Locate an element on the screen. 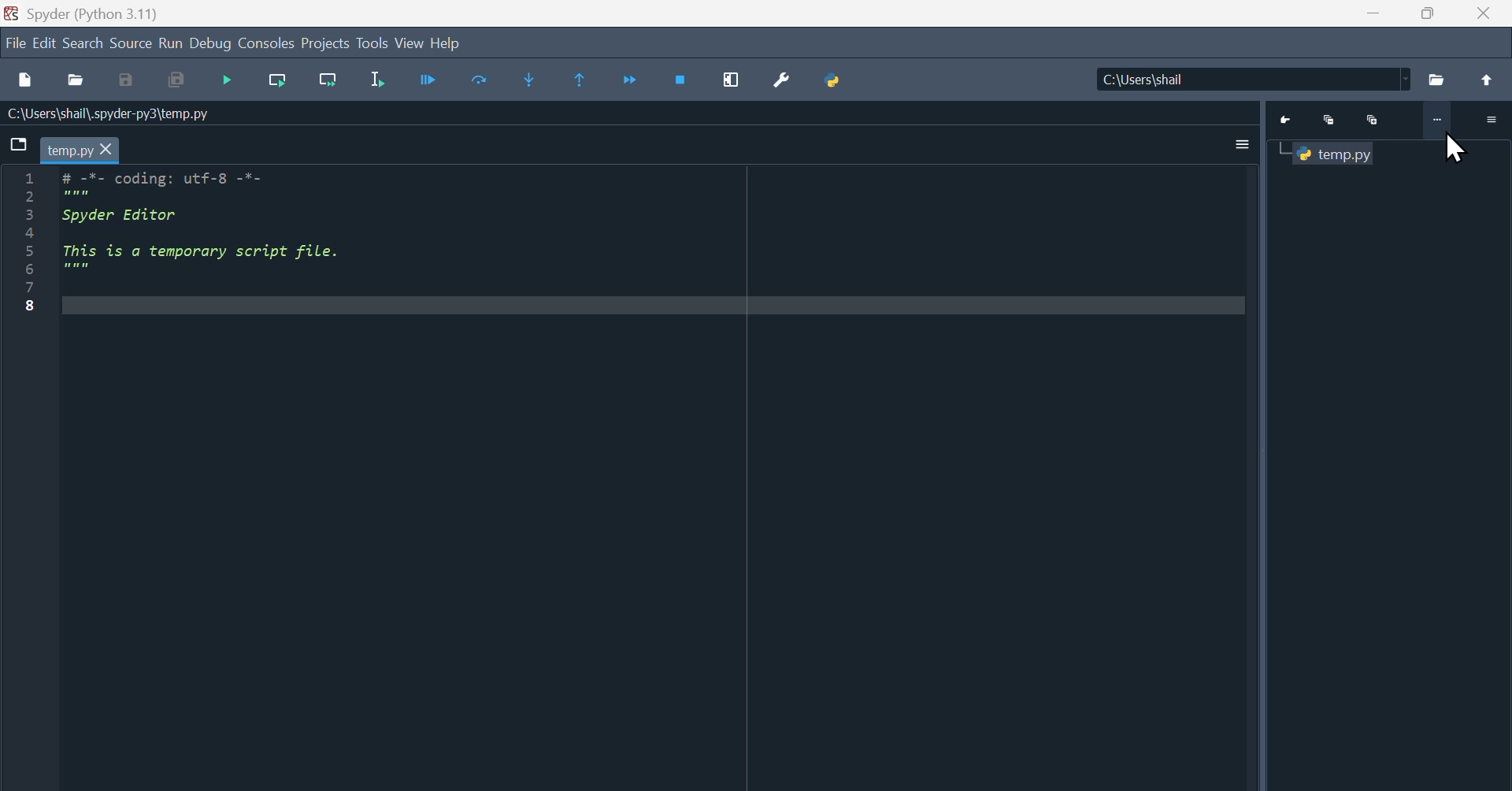 Image resolution: width=1512 pixels, height=791 pixels. Cursor is located at coordinates (1455, 150).